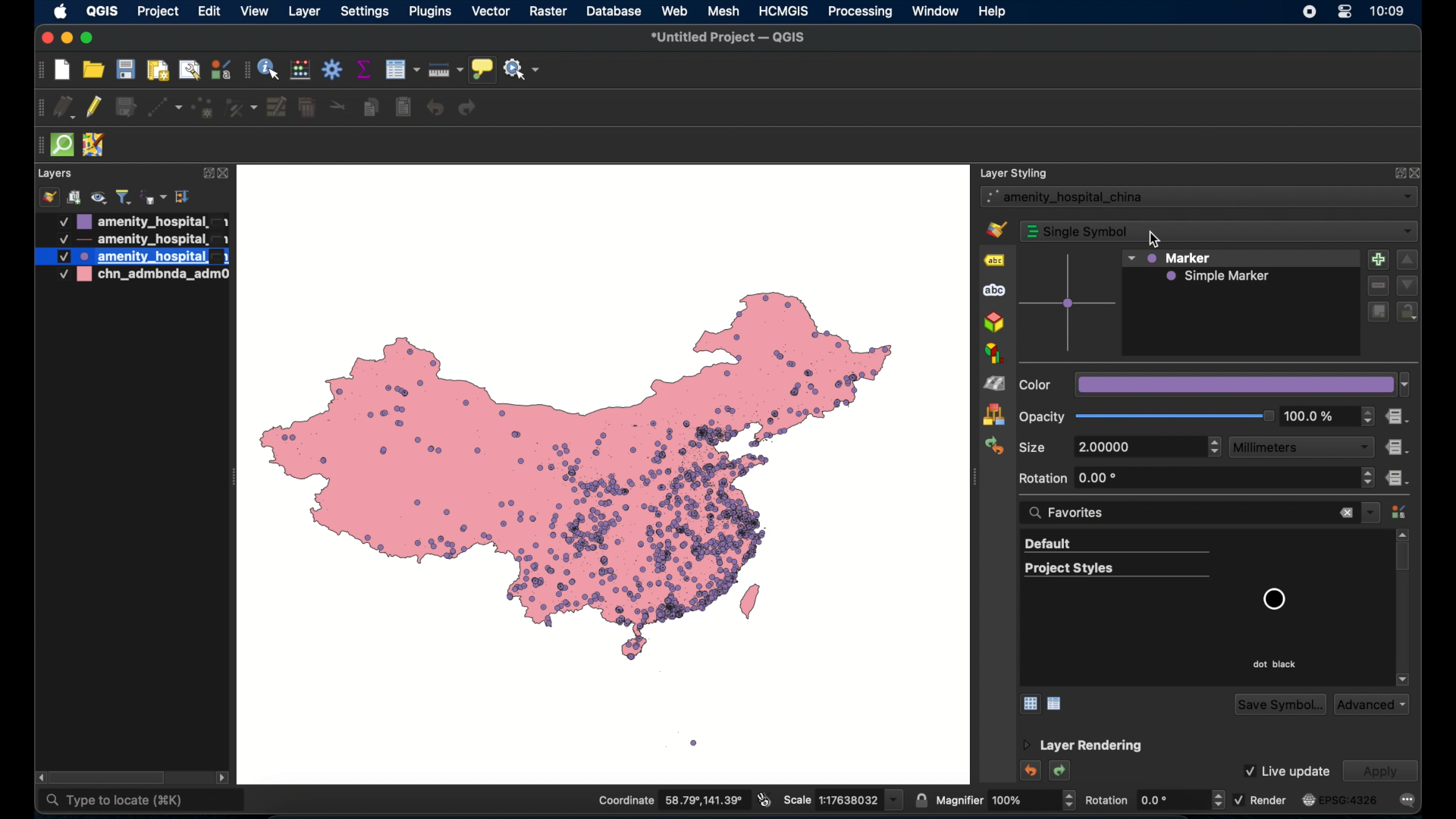  Describe the element at coordinates (1398, 446) in the screenshot. I see `data defined override` at that location.